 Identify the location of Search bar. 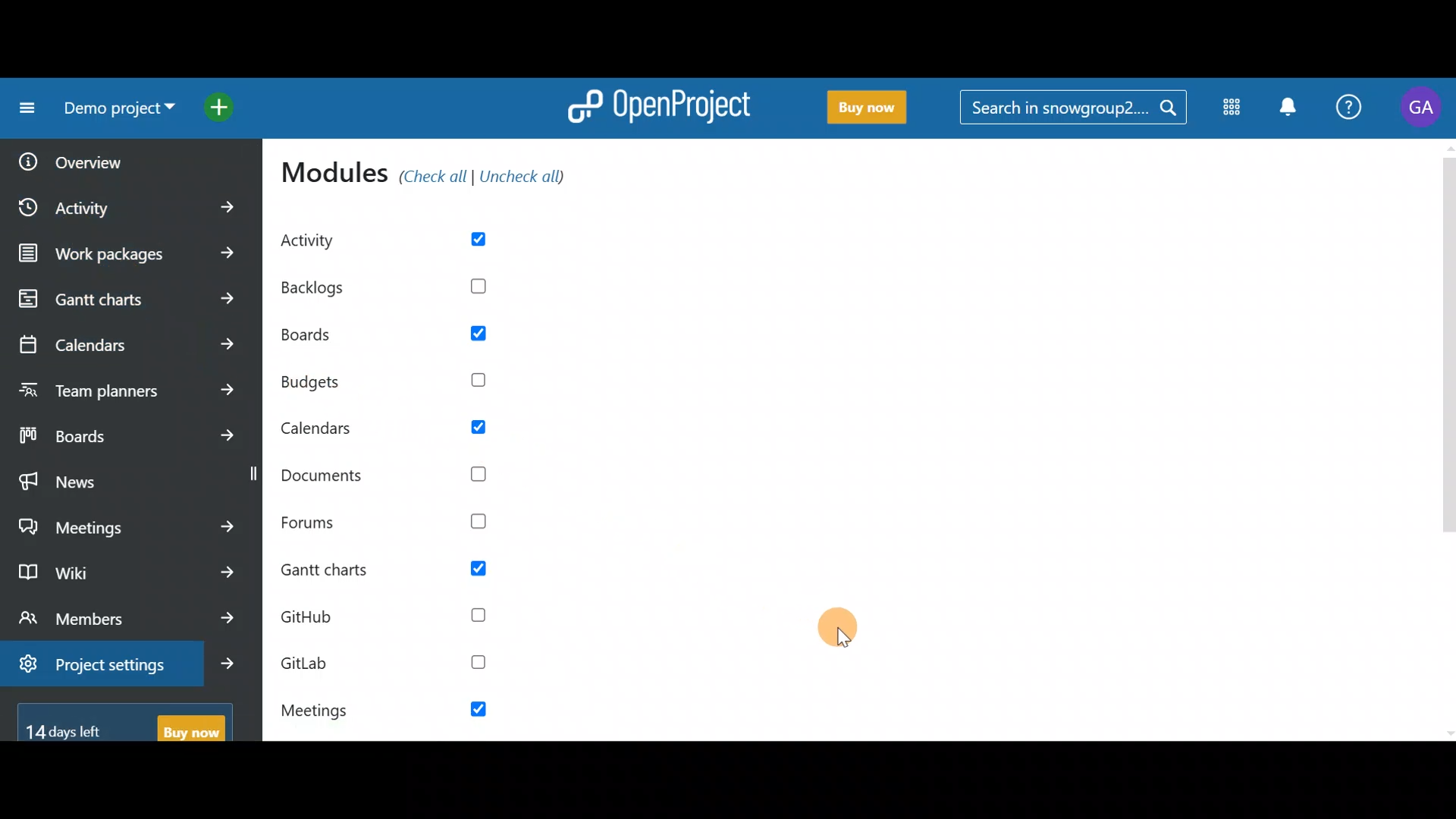
(1072, 111).